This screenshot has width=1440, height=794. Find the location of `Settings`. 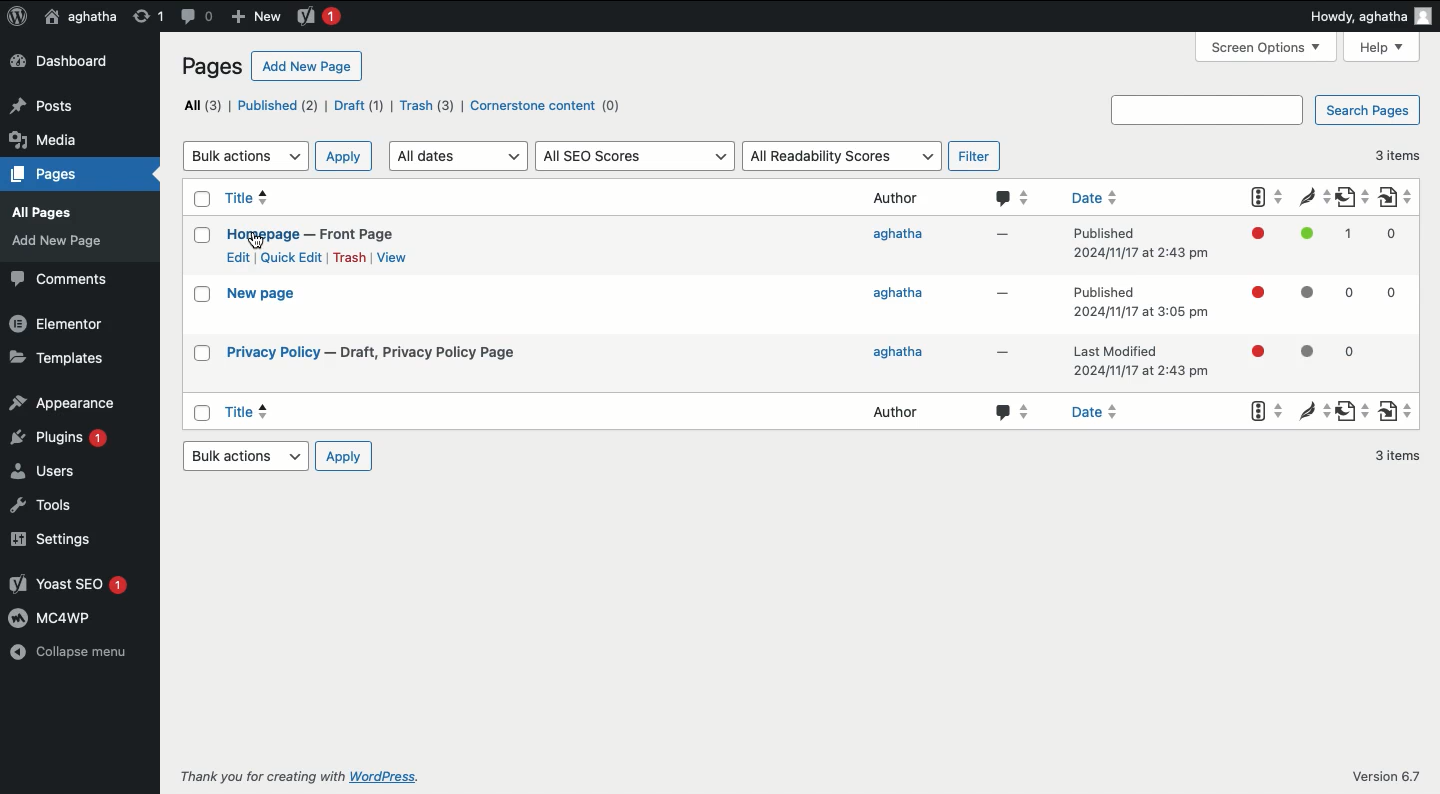

Settings is located at coordinates (50, 540).